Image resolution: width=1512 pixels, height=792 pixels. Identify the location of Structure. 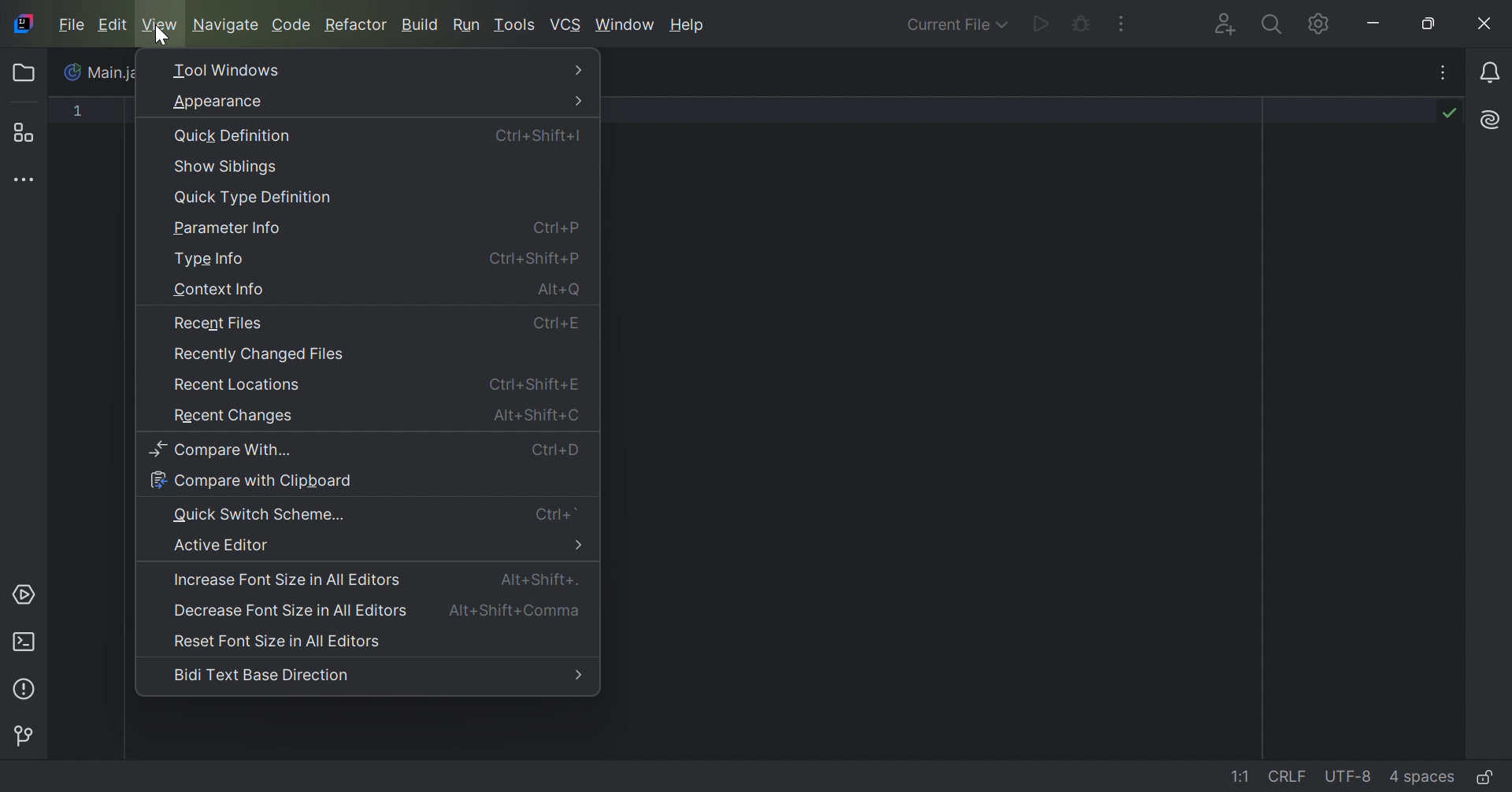
(29, 132).